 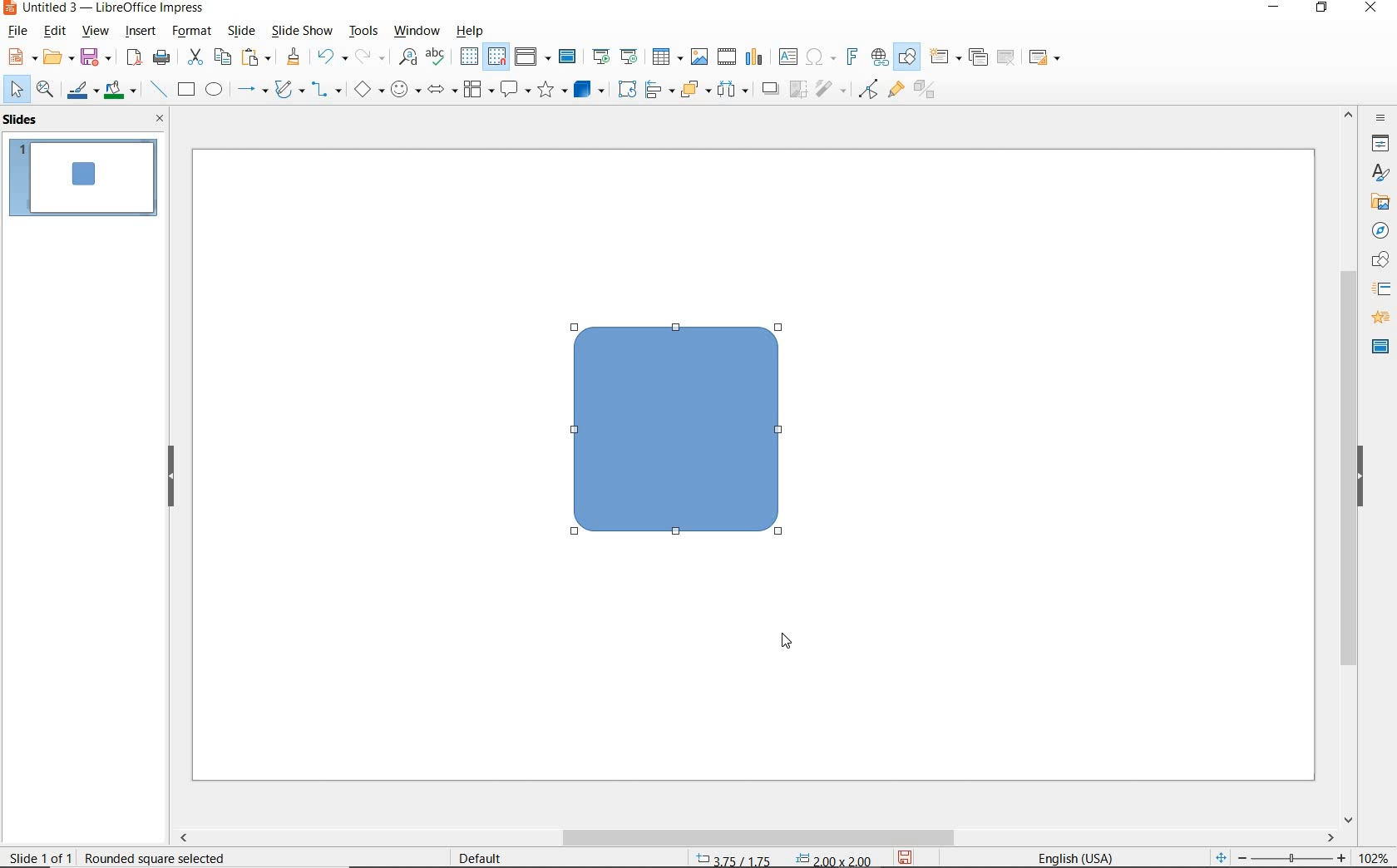 What do you see at coordinates (832, 91) in the screenshot?
I see `filter` at bounding box center [832, 91].